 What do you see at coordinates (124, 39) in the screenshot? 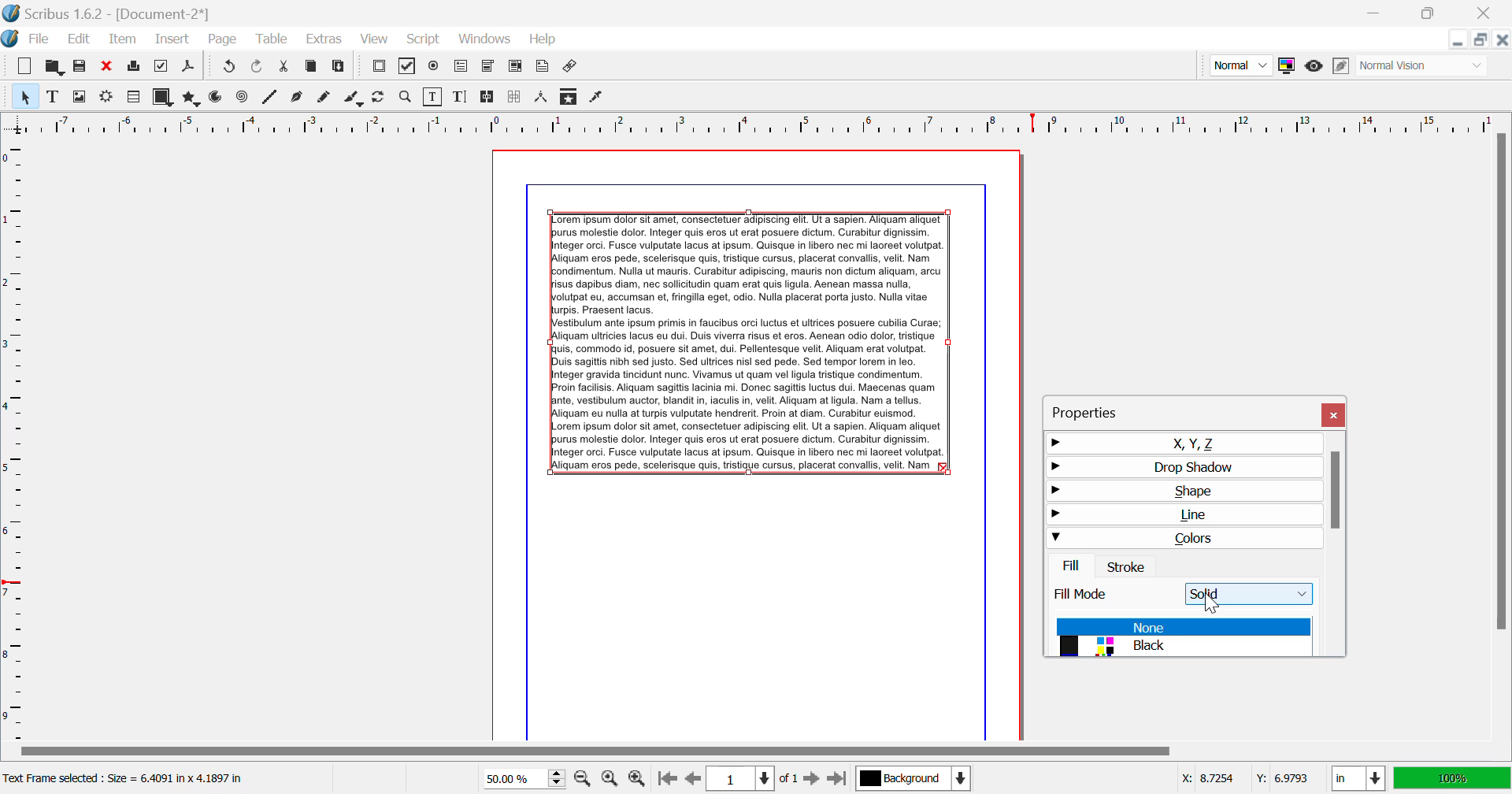
I see `Item` at bounding box center [124, 39].